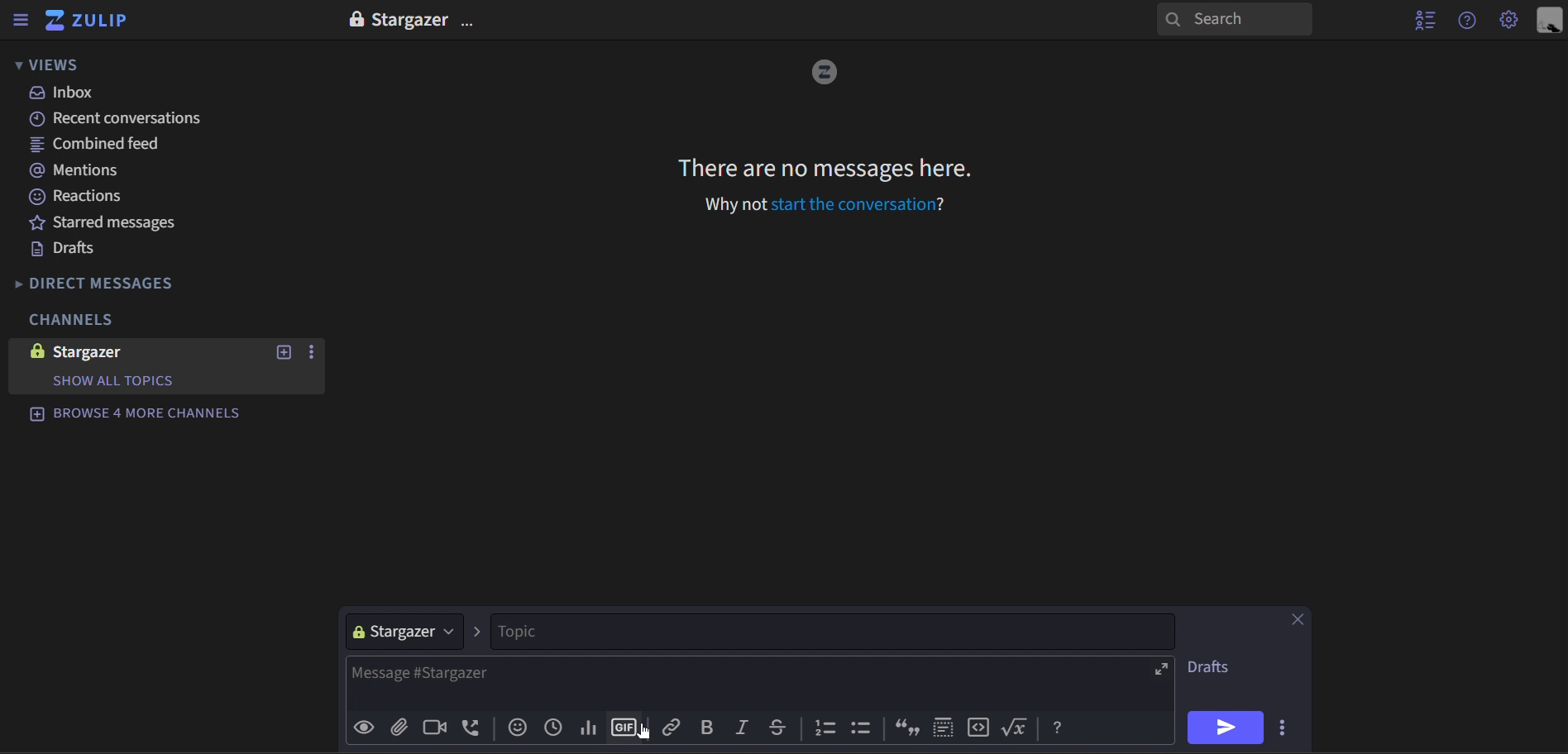 The height and width of the screenshot is (754, 1568). I want to click on options, so click(470, 19).